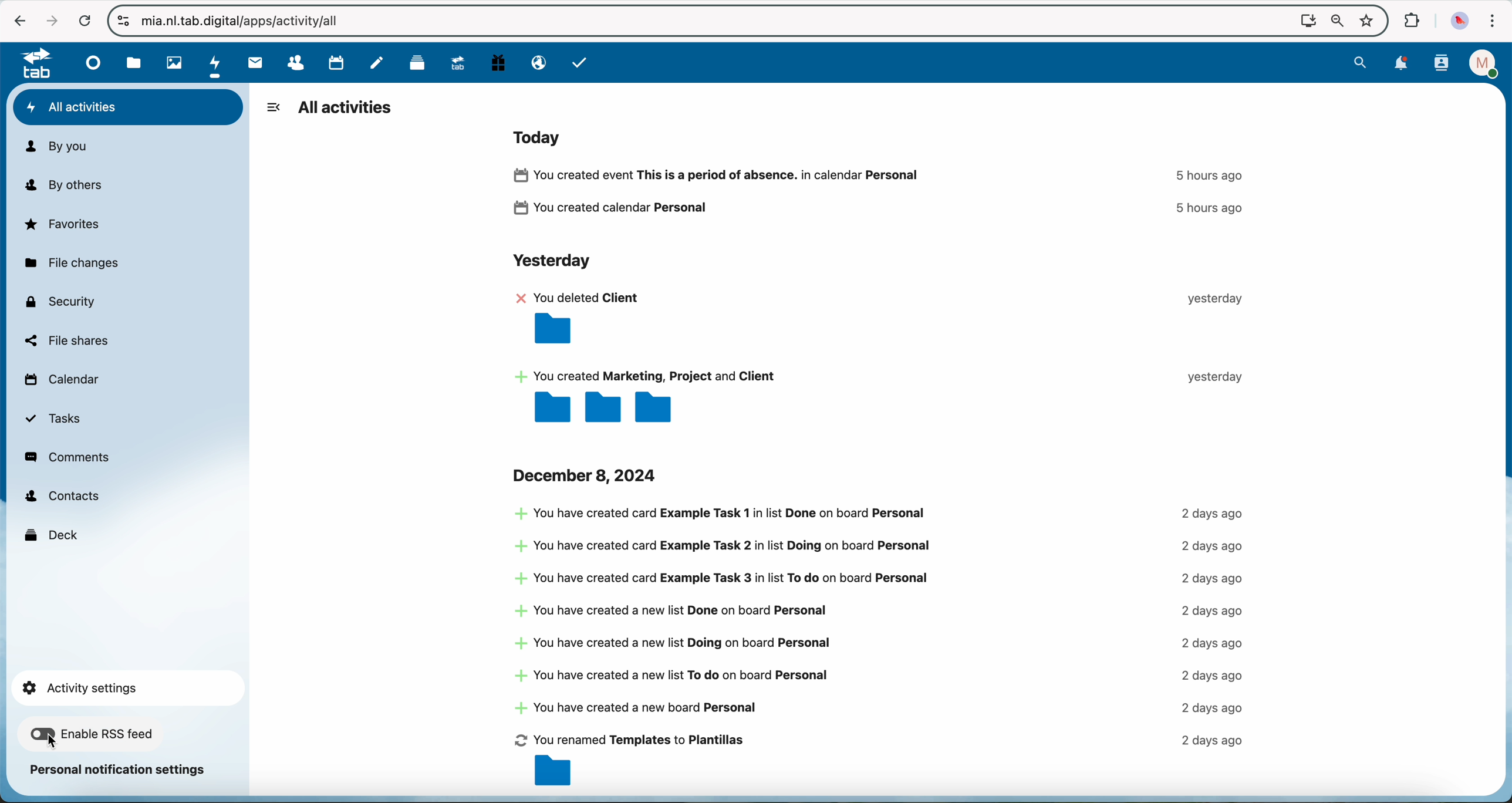 The height and width of the screenshot is (803, 1512). What do you see at coordinates (1369, 21) in the screenshot?
I see `favorites` at bounding box center [1369, 21].